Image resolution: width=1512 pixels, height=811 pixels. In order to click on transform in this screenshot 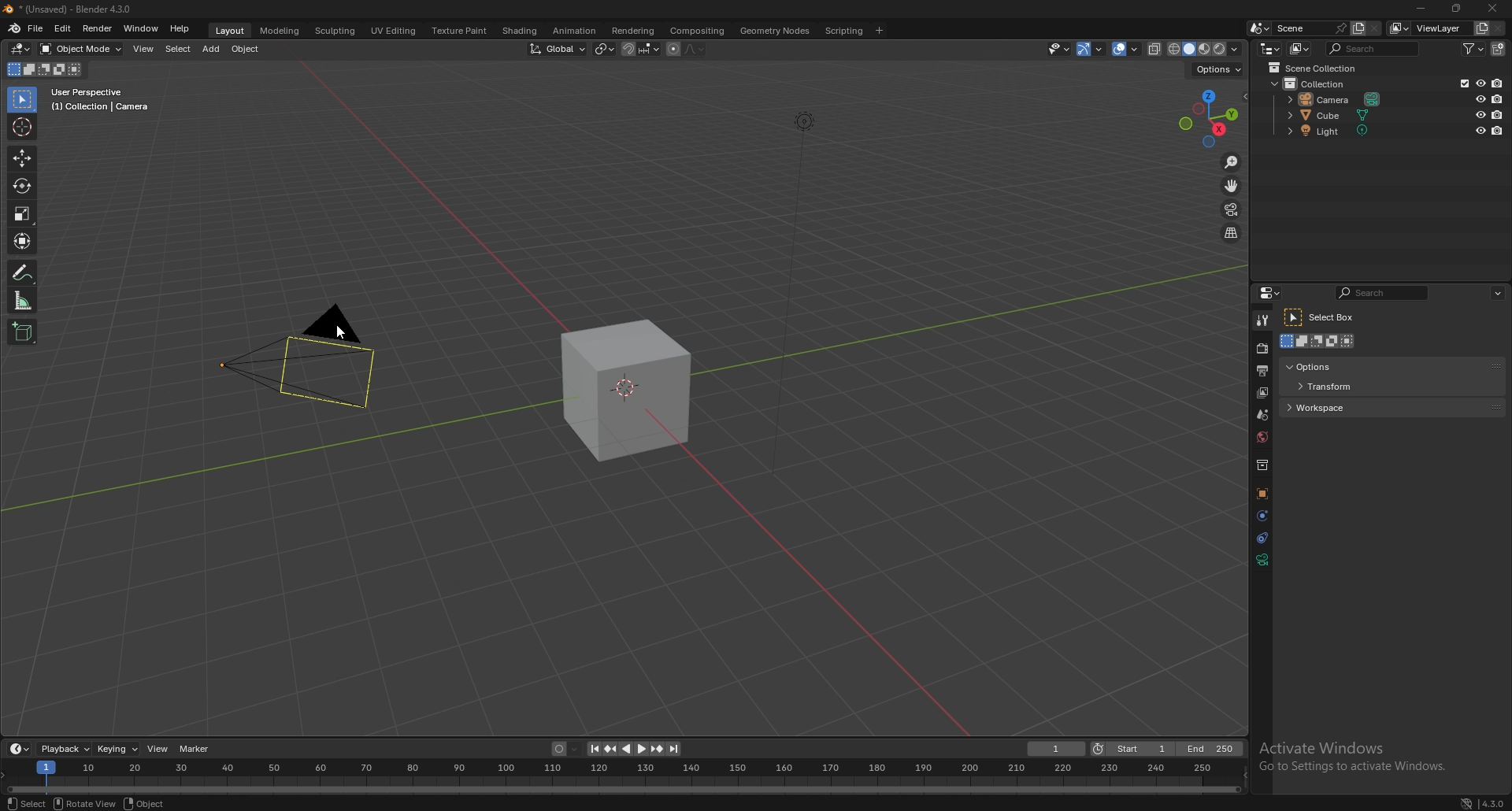, I will do `click(21, 239)`.